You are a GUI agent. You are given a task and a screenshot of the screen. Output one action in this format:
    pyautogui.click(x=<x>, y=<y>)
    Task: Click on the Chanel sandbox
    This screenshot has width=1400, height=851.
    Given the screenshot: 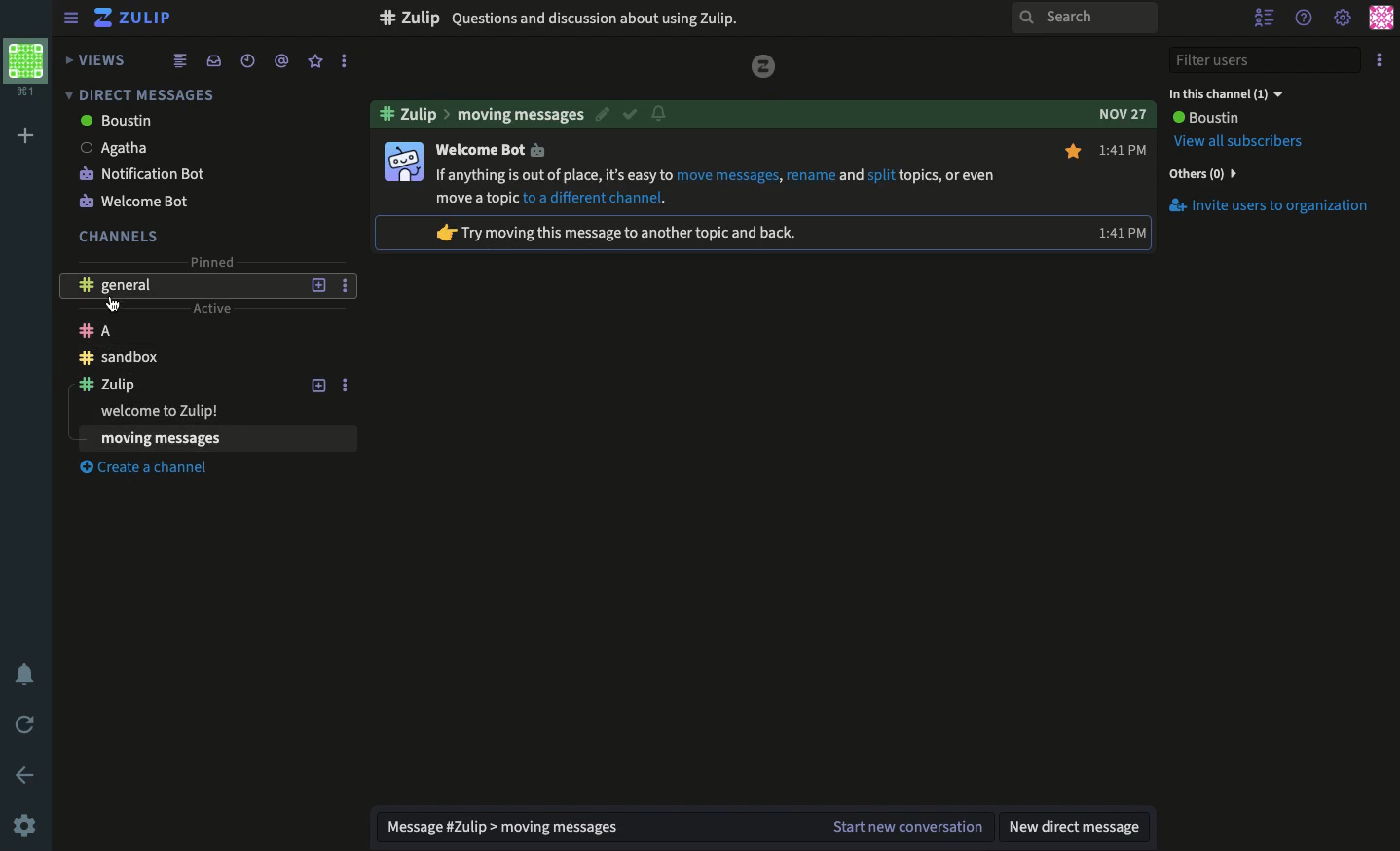 What is the action you would take?
    pyautogui.click(x=185, y=357)
    